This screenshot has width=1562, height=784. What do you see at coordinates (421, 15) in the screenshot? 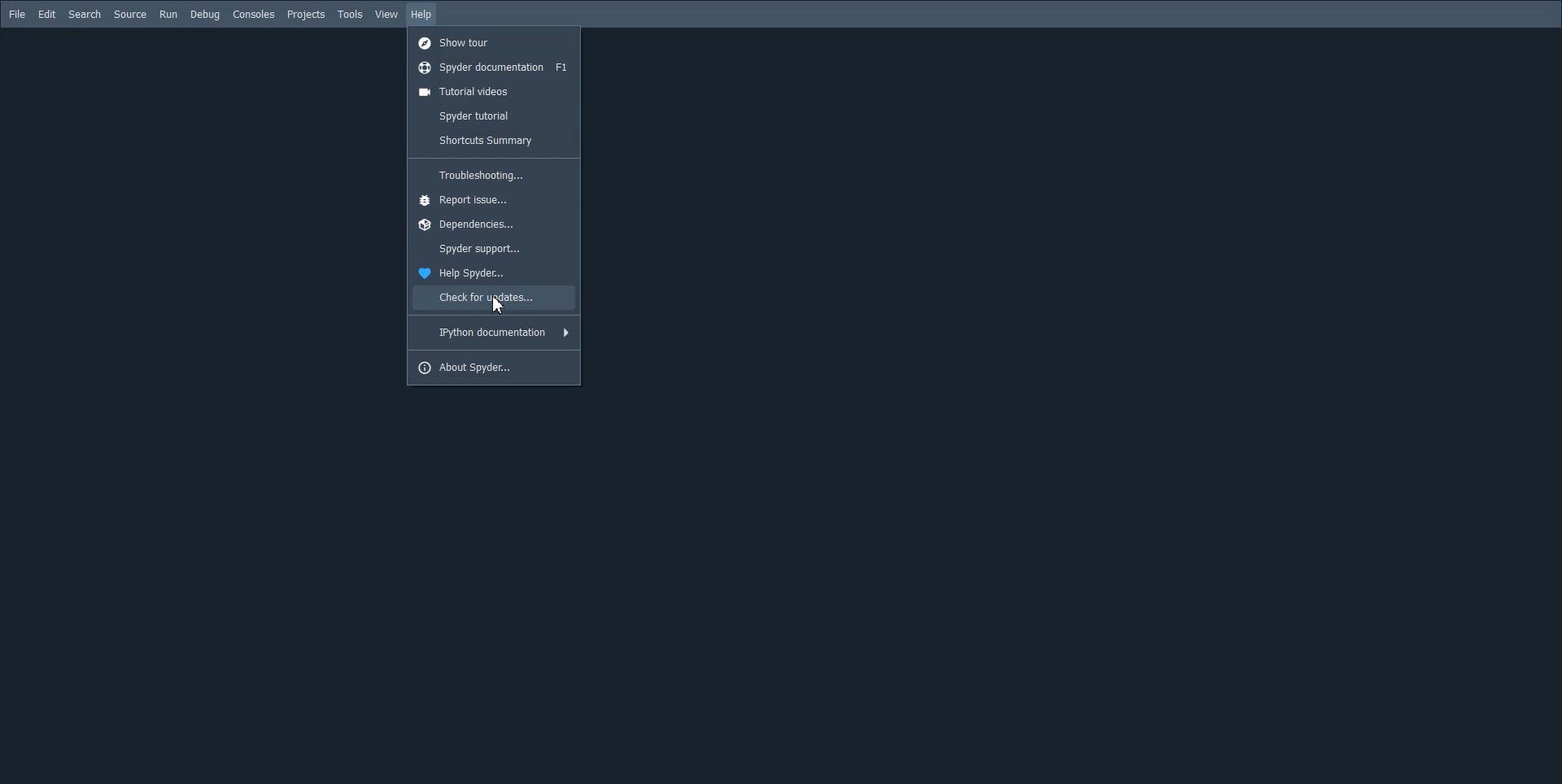
I see `Help` at bounding box center [421, 15].